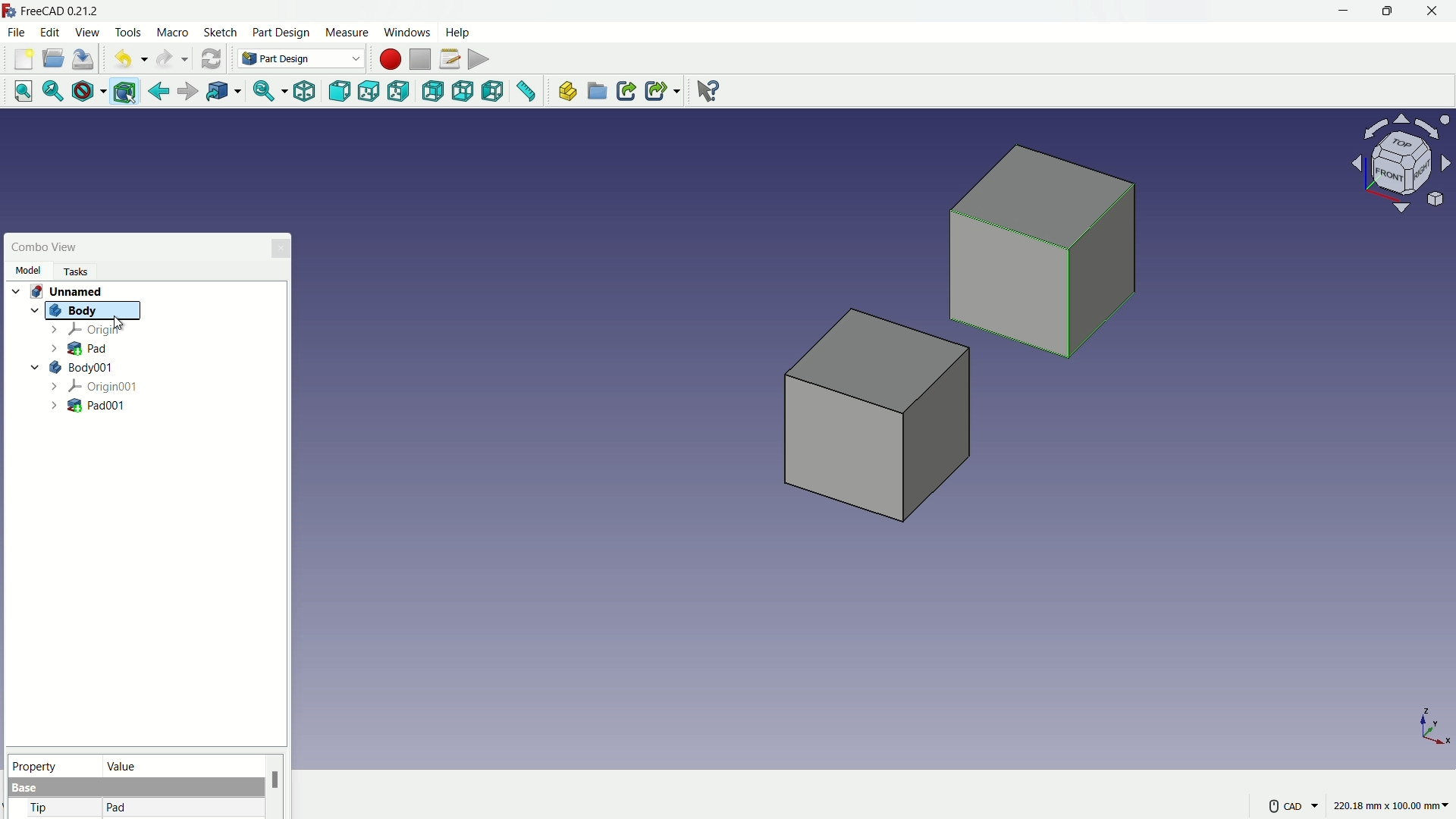 Image resolution: width=1456 pixels, height=819 pixels. I want to click on base, so click(26, 789).